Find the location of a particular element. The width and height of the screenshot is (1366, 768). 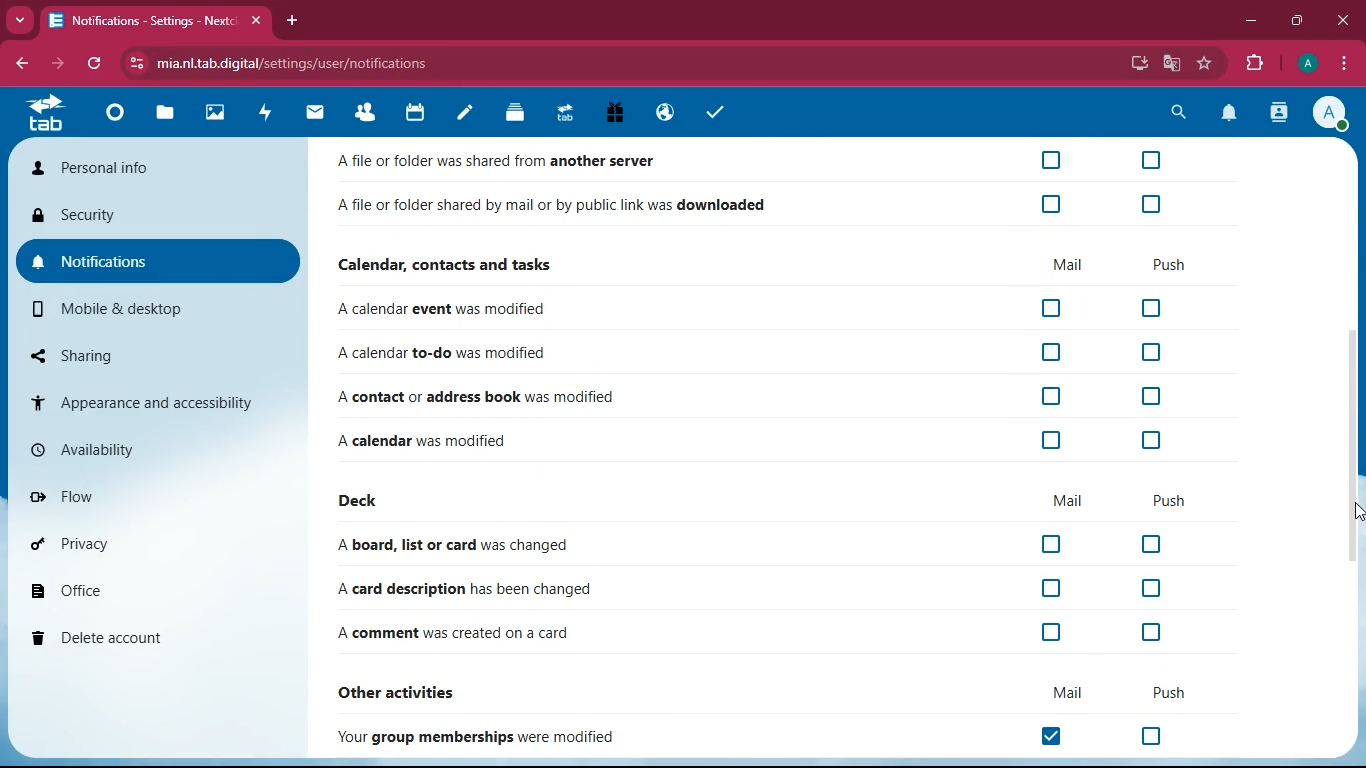

tab is located at coordinates (52, 114).